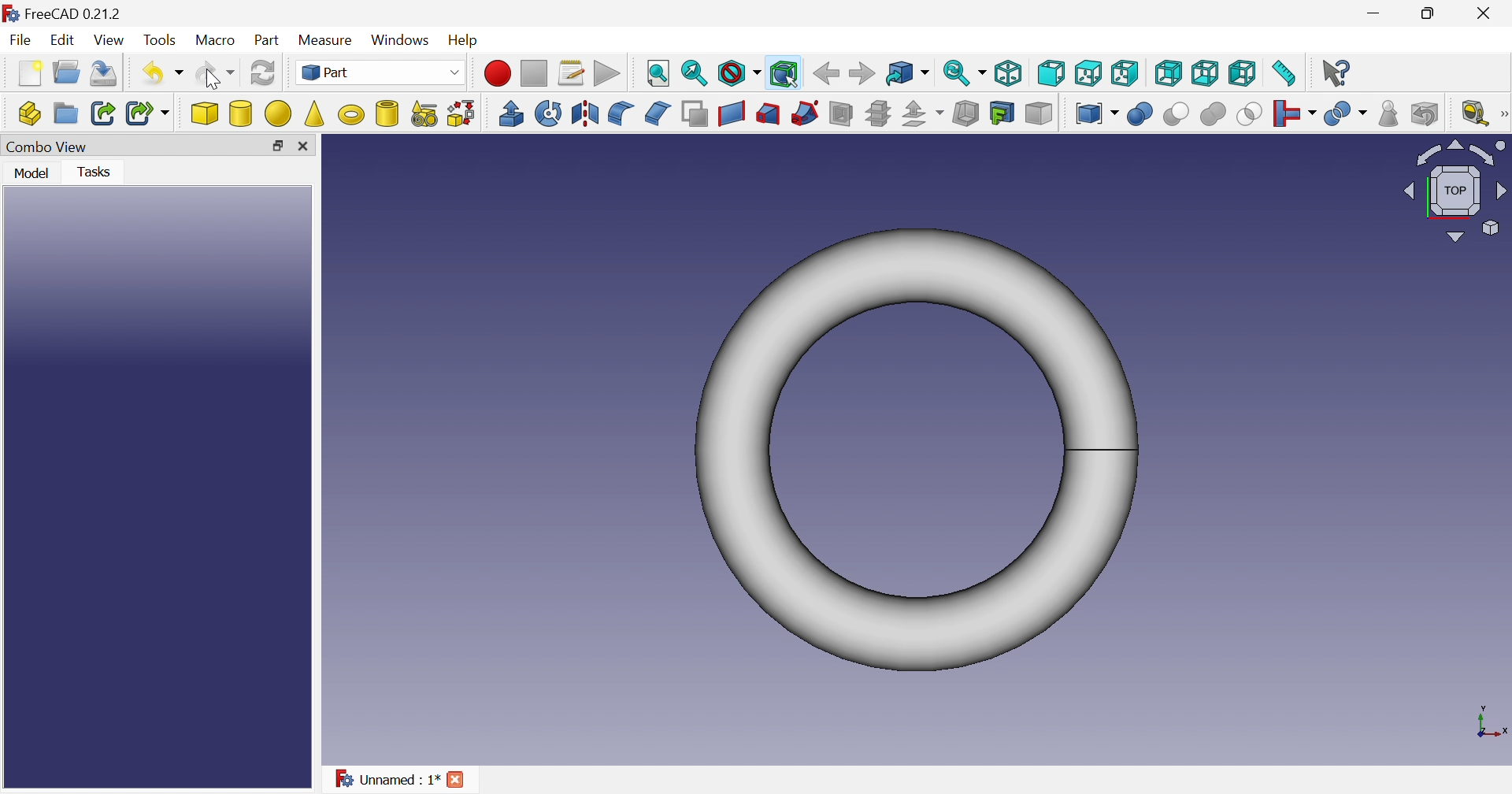 The image size is (1512, 794). What do you see at coordinates (965, 73) in the screenshot?
I see `Sync view` at bounding box center [965, 73].